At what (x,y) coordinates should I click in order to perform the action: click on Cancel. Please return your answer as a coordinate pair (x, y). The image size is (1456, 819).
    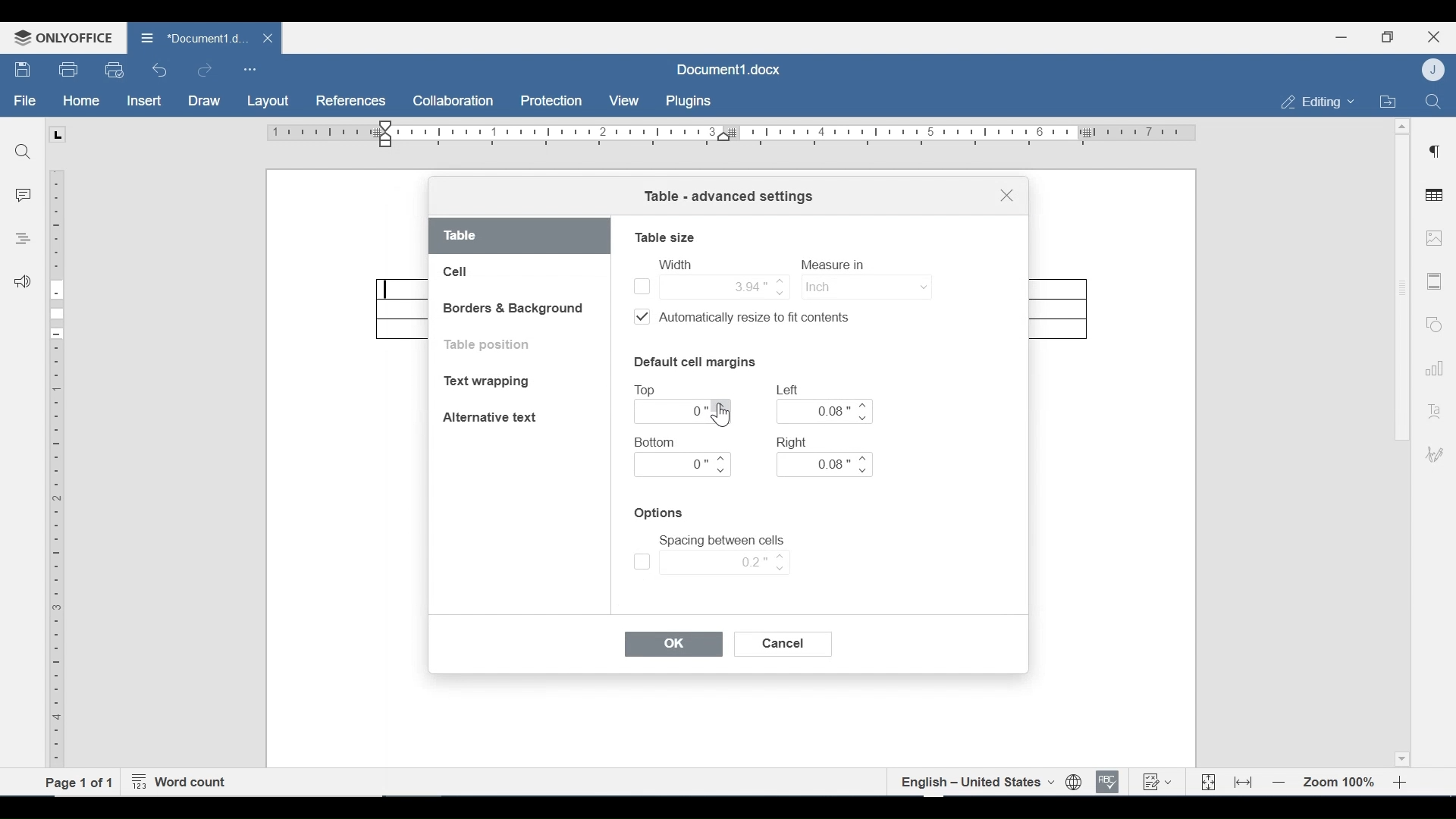
    Looking at the image, I should click on (785, 644).